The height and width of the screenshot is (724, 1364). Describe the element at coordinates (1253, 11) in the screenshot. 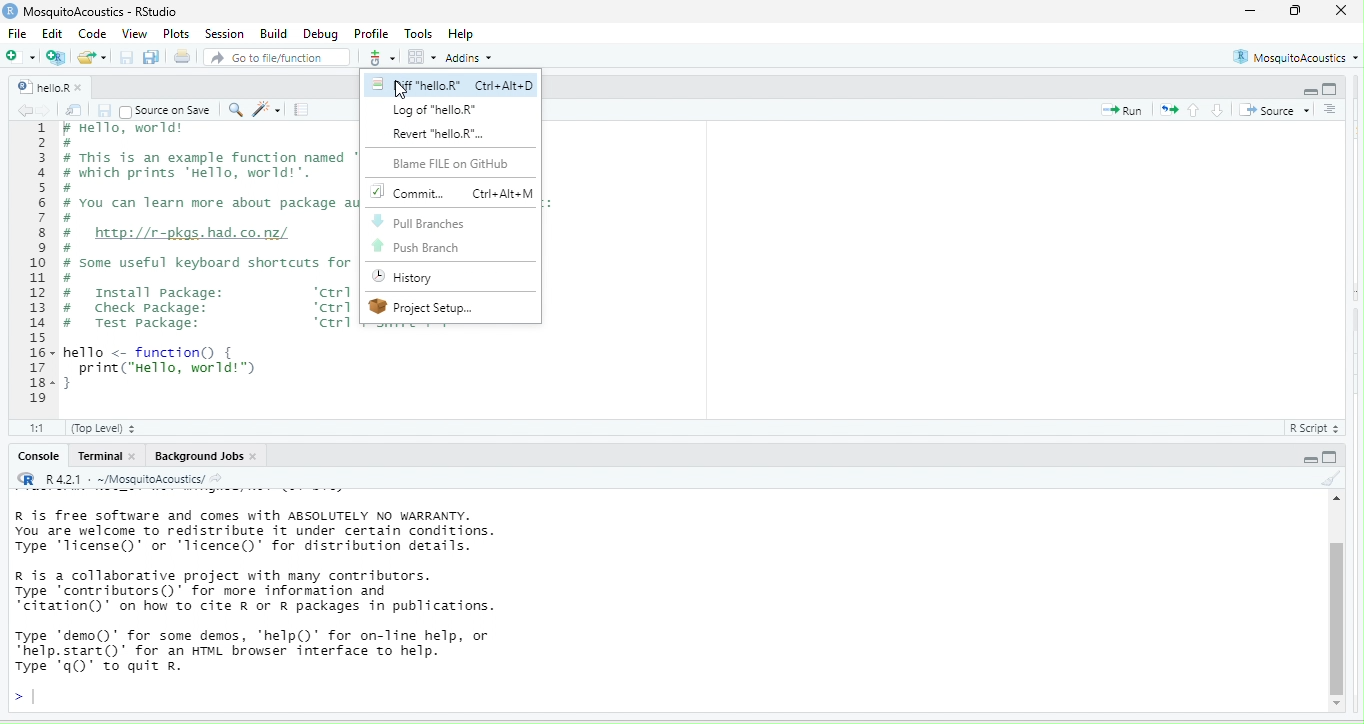

I see `minimize` at that location.